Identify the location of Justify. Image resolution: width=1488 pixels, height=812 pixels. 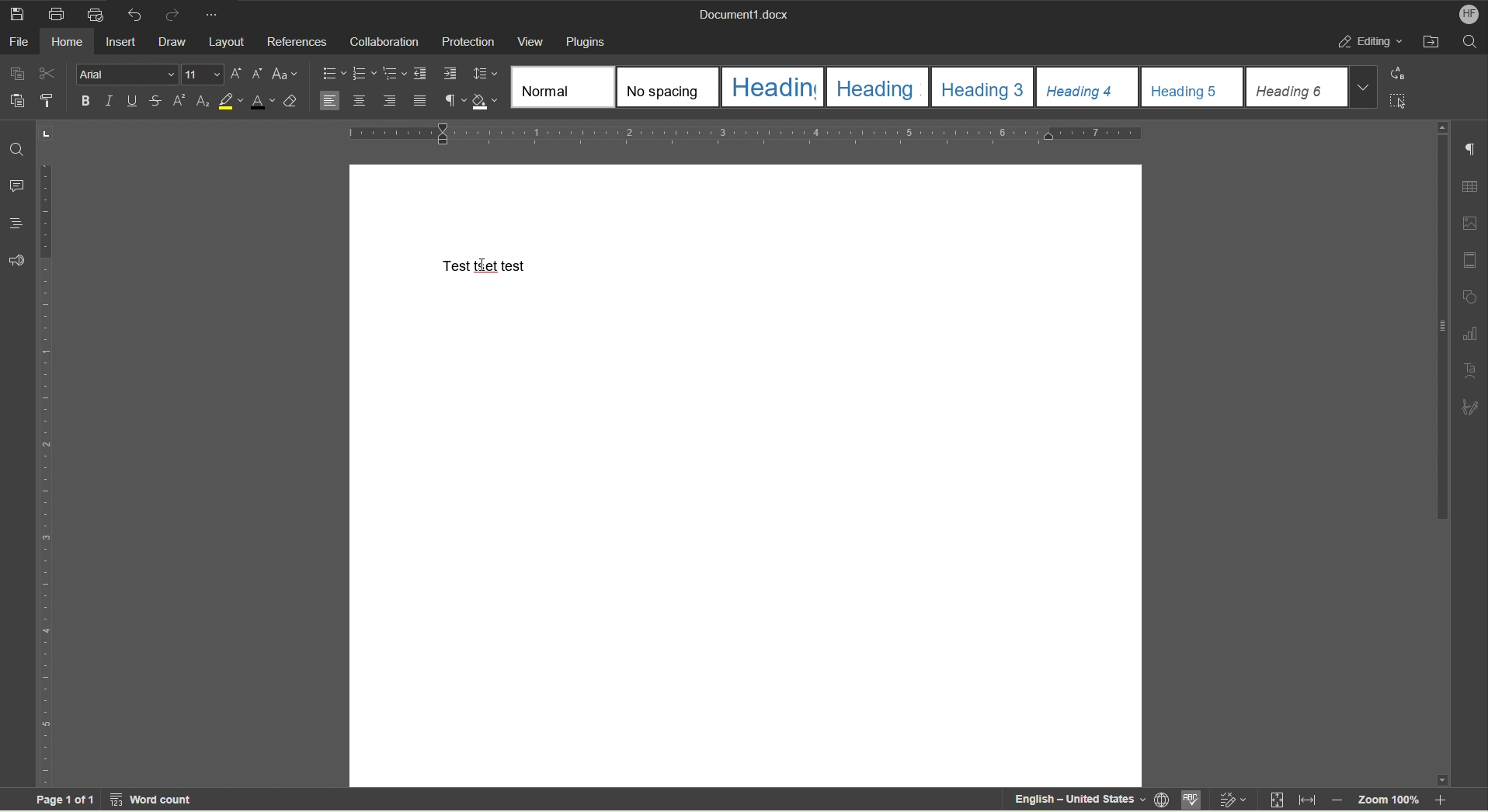
(419, 102).